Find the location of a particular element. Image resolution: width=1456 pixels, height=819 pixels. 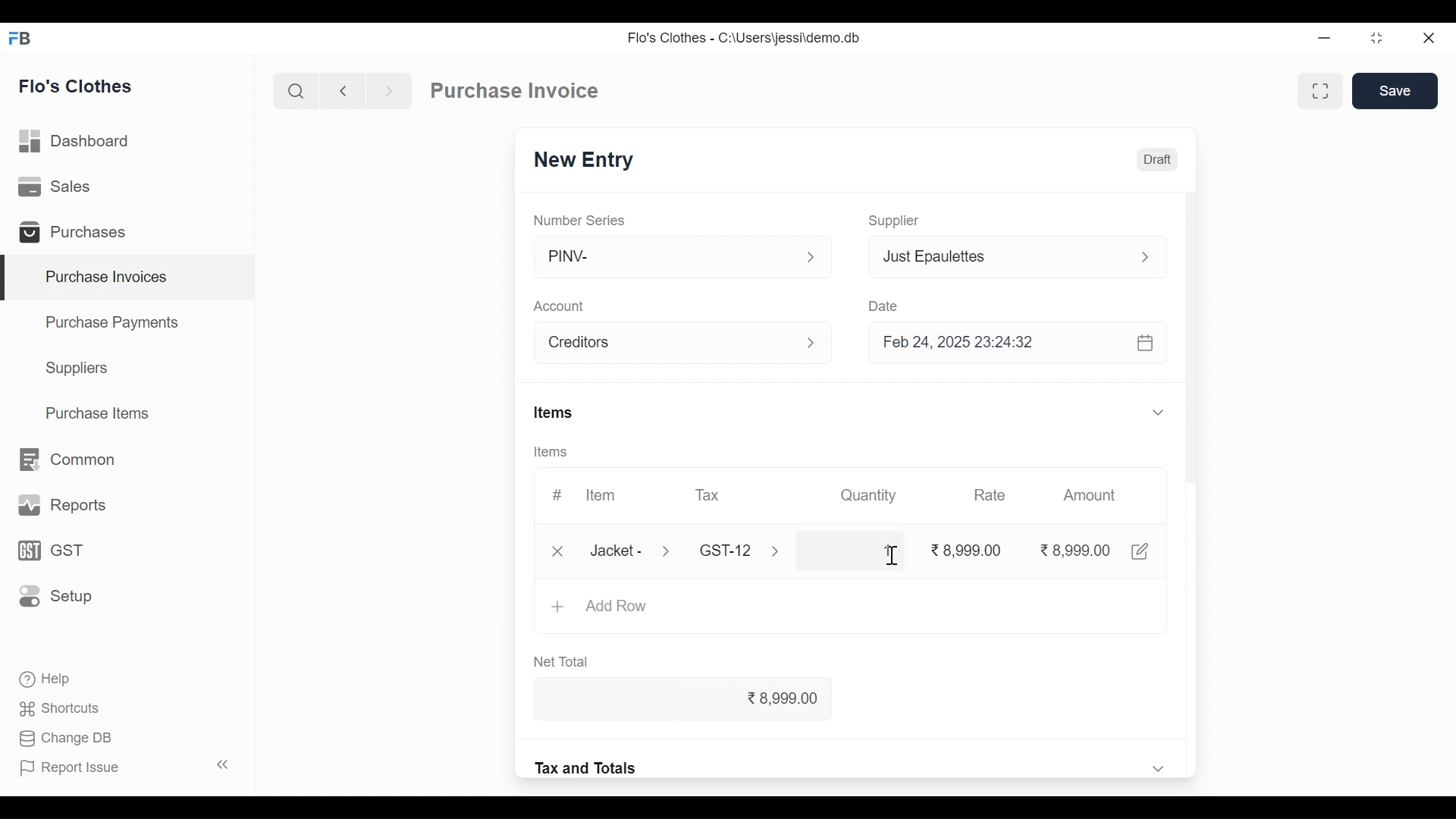

Jacket - is located at coordinates (617, 550).